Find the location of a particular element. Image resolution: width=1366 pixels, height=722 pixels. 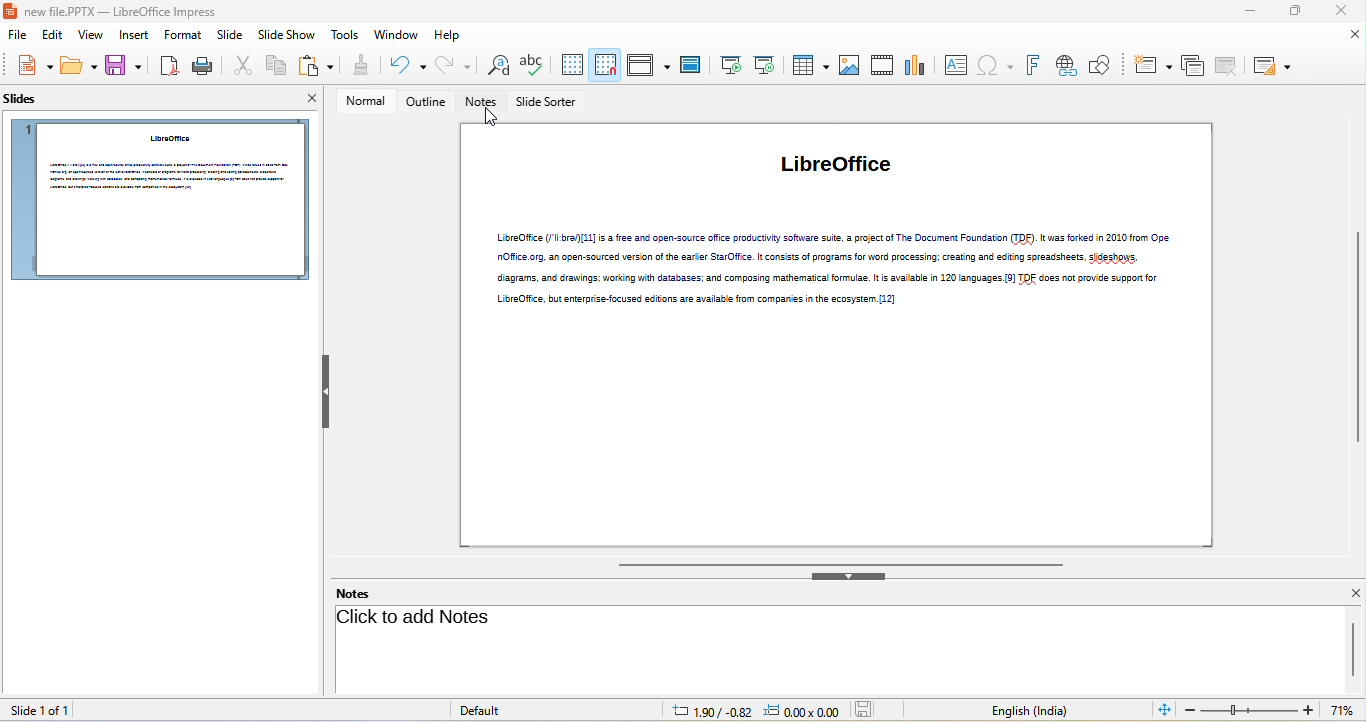

hidleft side bar is located at coordinates (328, 393).